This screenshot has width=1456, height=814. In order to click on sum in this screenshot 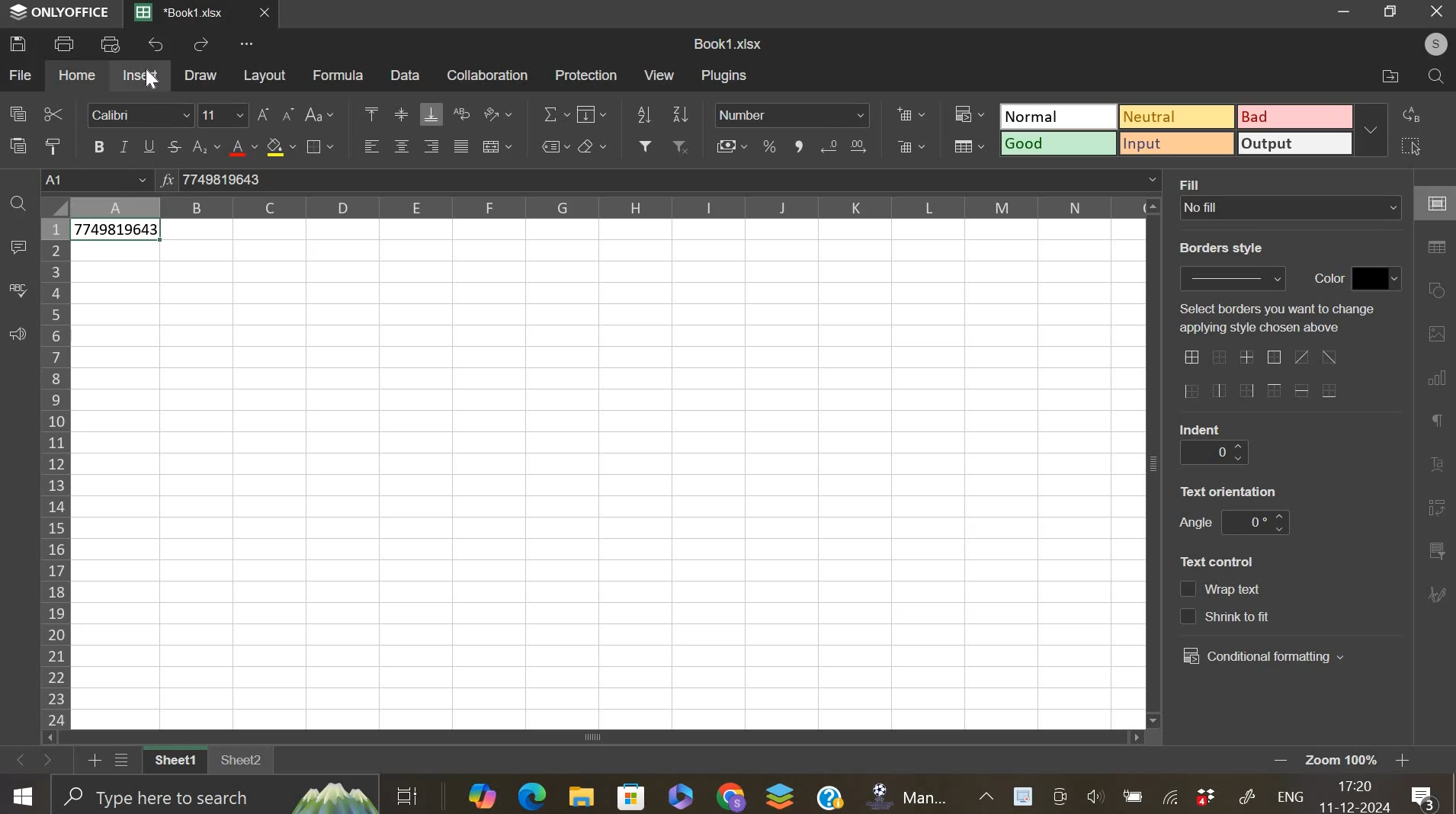, I will do `click(555, 114)`.